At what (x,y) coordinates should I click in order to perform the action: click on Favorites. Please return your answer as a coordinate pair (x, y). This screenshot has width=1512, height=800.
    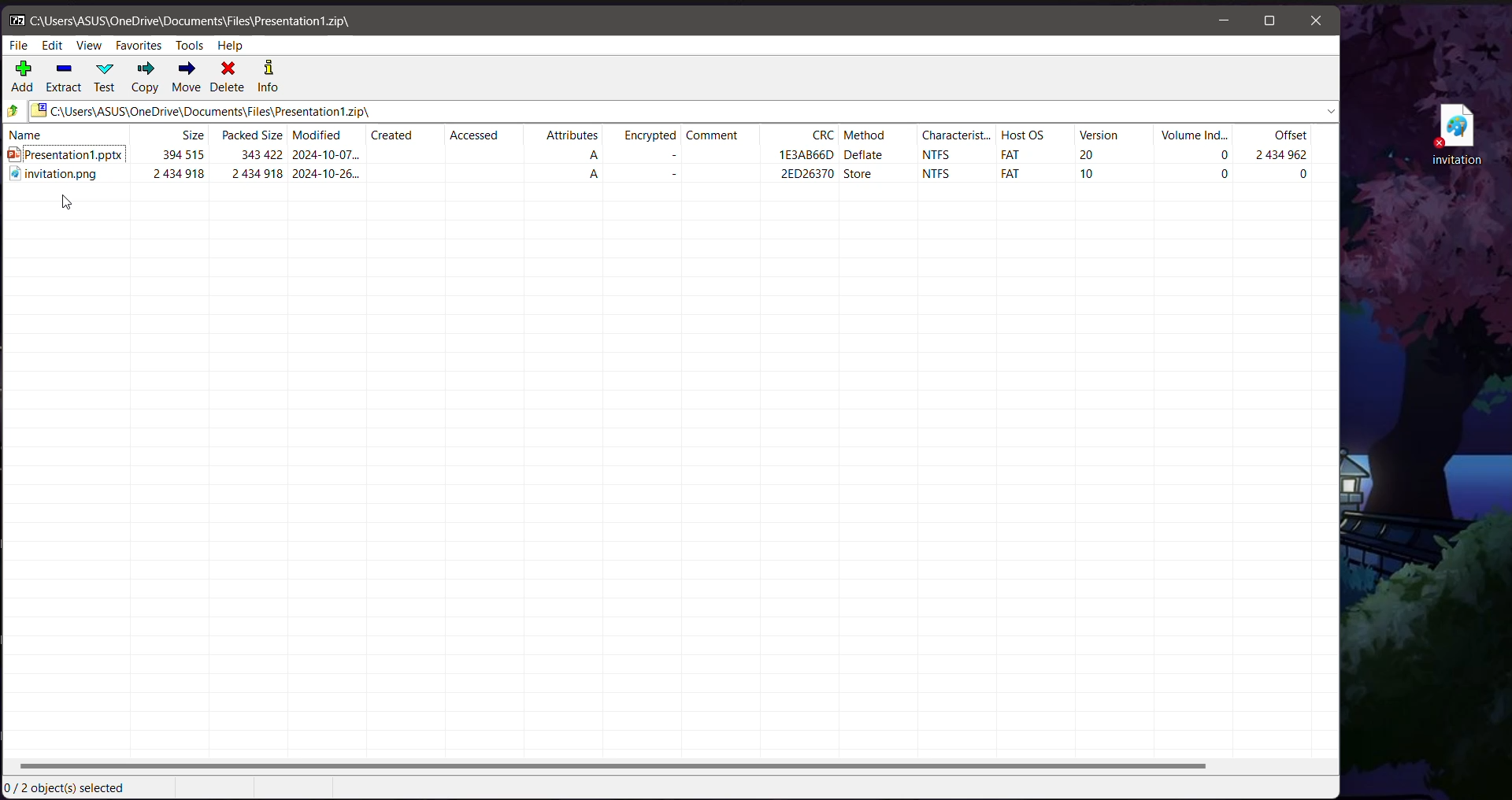
    Looking at the image, I should click on (139, 46).